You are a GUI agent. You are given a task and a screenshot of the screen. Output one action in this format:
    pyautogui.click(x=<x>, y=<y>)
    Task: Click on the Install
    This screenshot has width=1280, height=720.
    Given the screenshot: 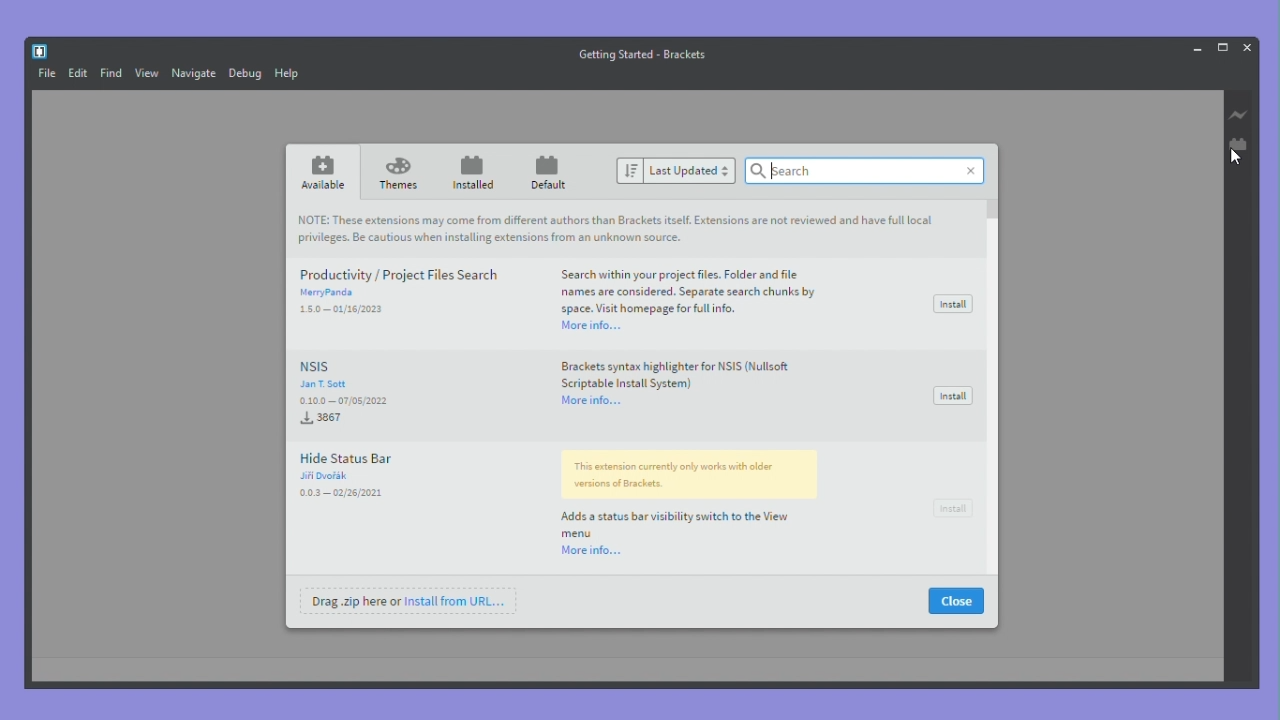 What is the action you would take?
    pyautogui.click(x=953, y=511)
    